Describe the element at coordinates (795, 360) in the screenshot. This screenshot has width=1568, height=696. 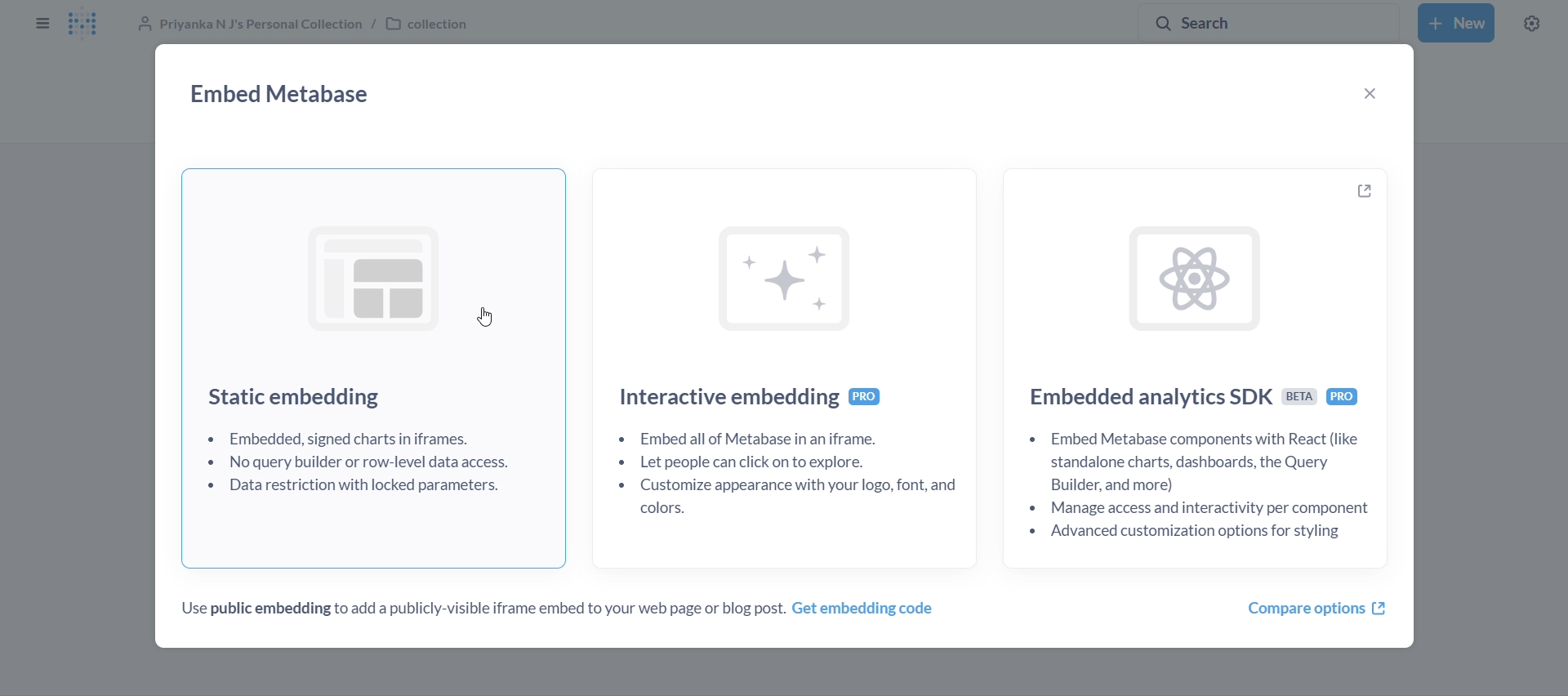
I see `Interactive embedding

+ Embed all of Metabase in an iframe.

+ Let people can click on to explore.

+ Customize appearance with your logo, font, and
colors.` at that location.